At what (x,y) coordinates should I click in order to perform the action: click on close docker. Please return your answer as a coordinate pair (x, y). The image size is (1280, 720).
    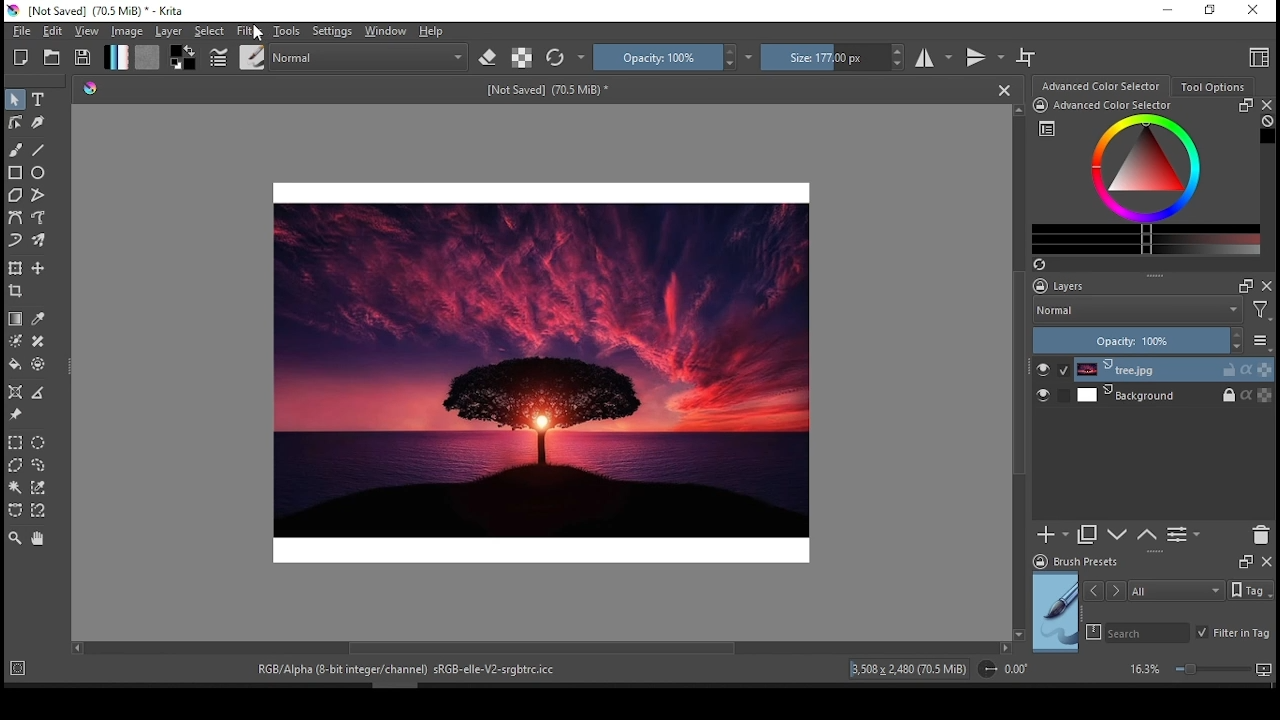
    Looking at the image, I should click on (1267, 287).